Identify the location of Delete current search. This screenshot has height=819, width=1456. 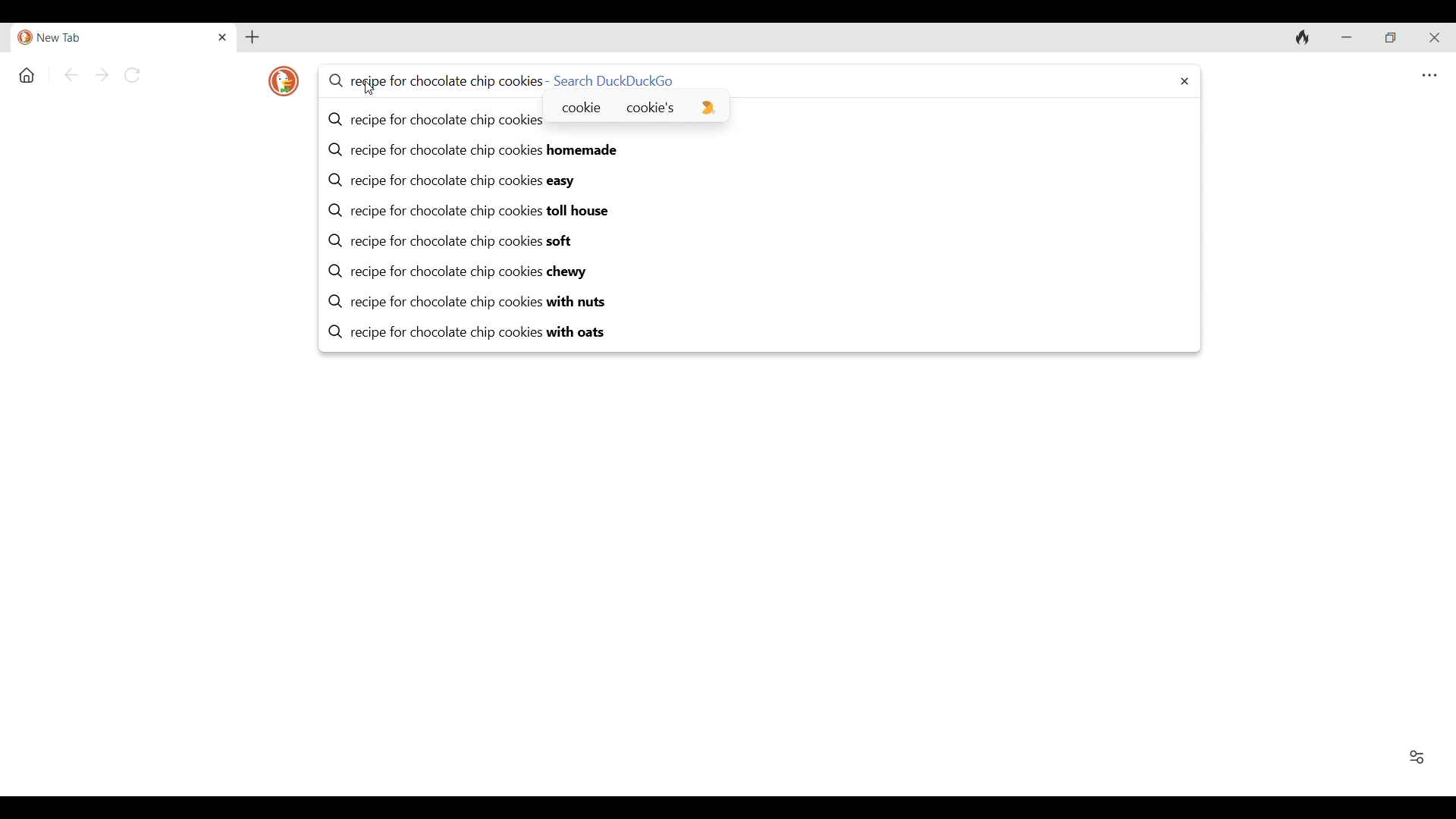
(1185, 81).